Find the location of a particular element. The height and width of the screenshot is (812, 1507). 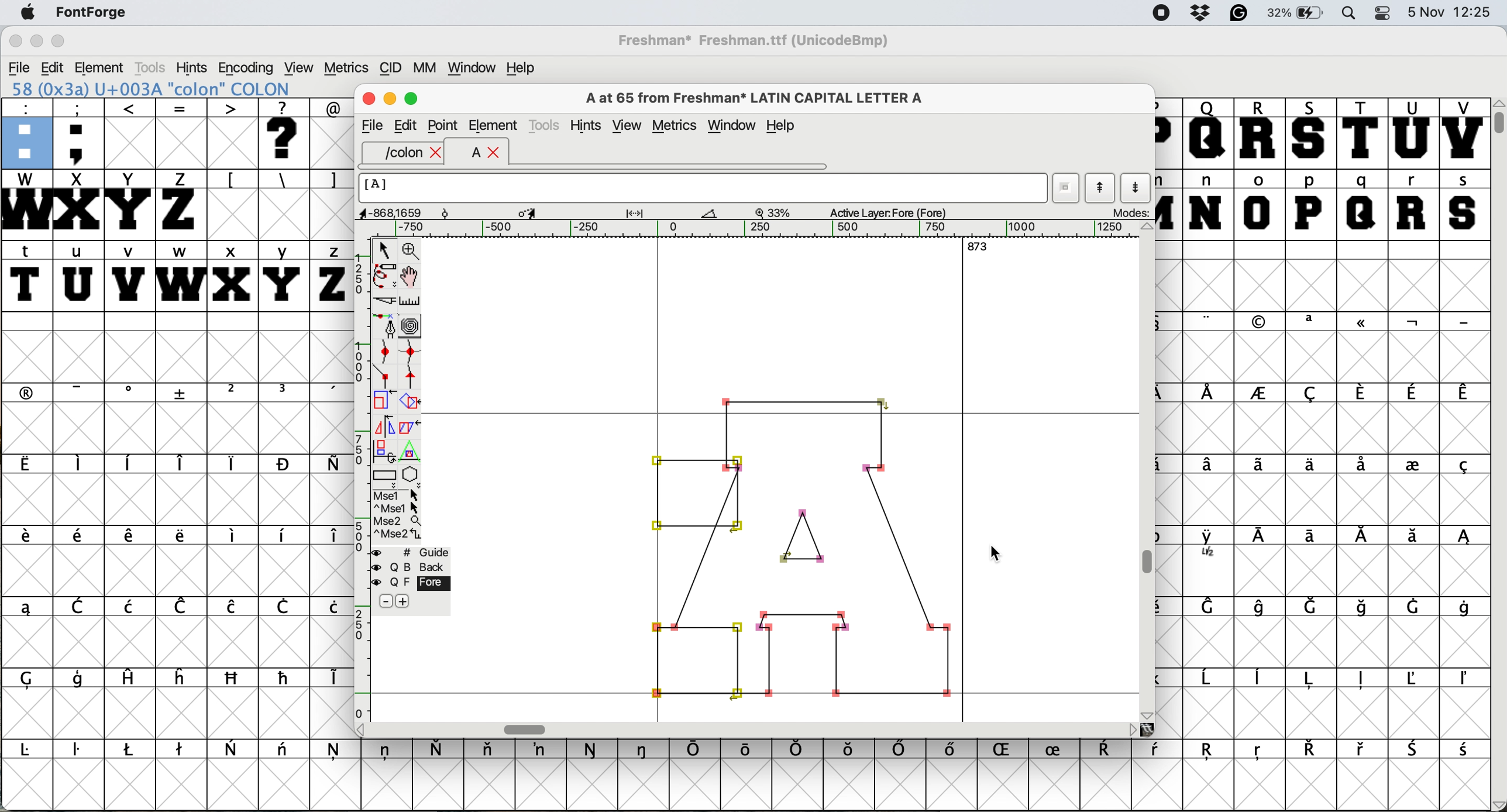

179 (0xb3) U+00B3 "uniO0B3" SUPERSCRIPT THREE is located at coordinates (178, 88).